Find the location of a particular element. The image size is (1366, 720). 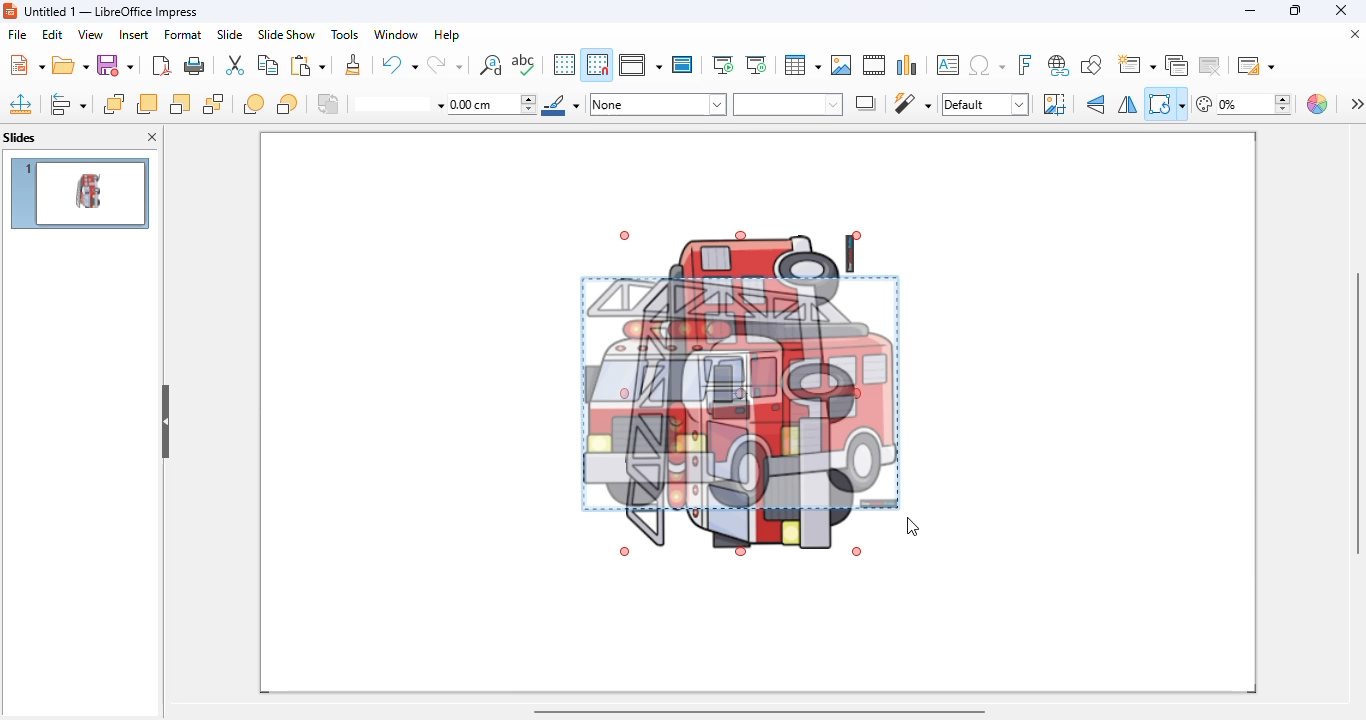

slide layout is located at coordinates (1254, 64).